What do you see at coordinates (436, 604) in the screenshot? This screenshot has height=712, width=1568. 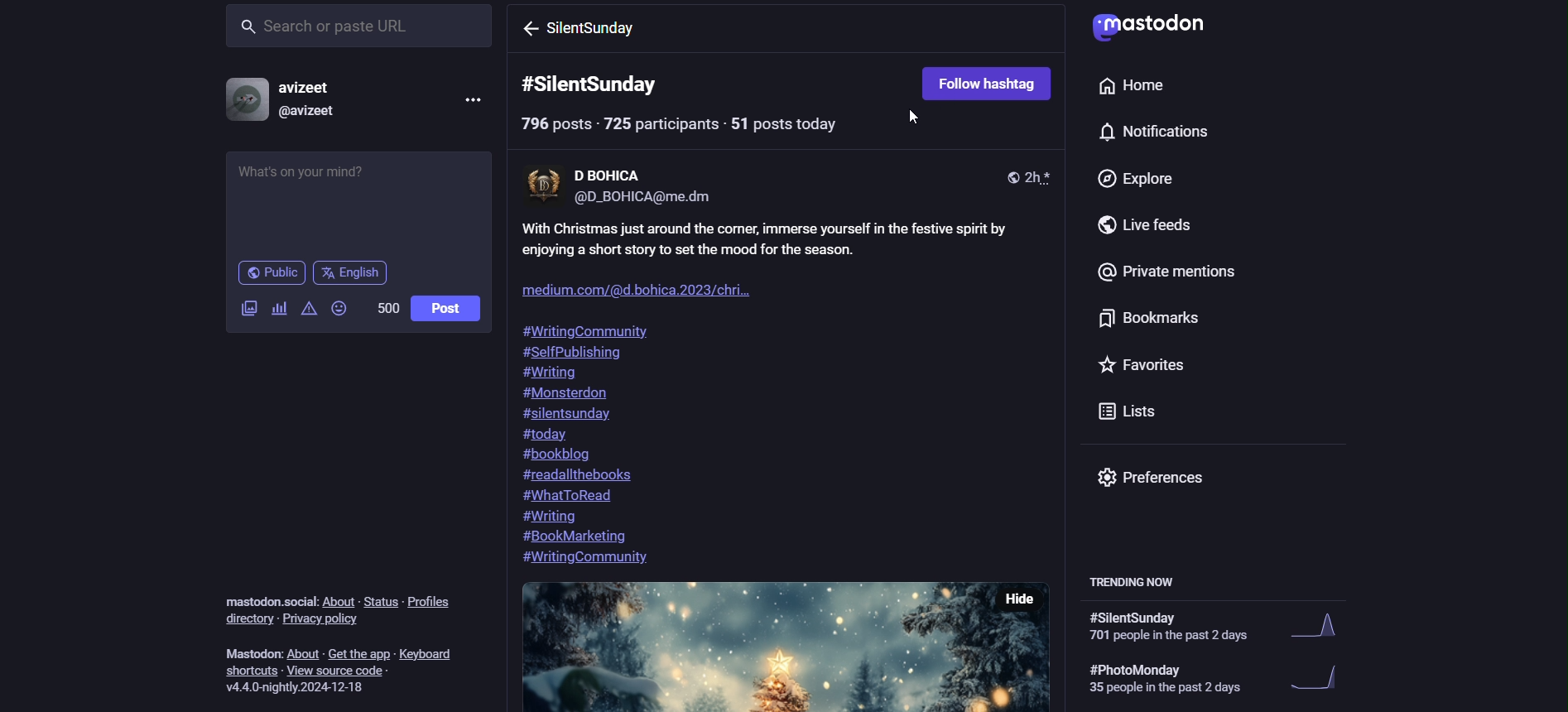 I see `profiles` at bounding box center [436, 604].